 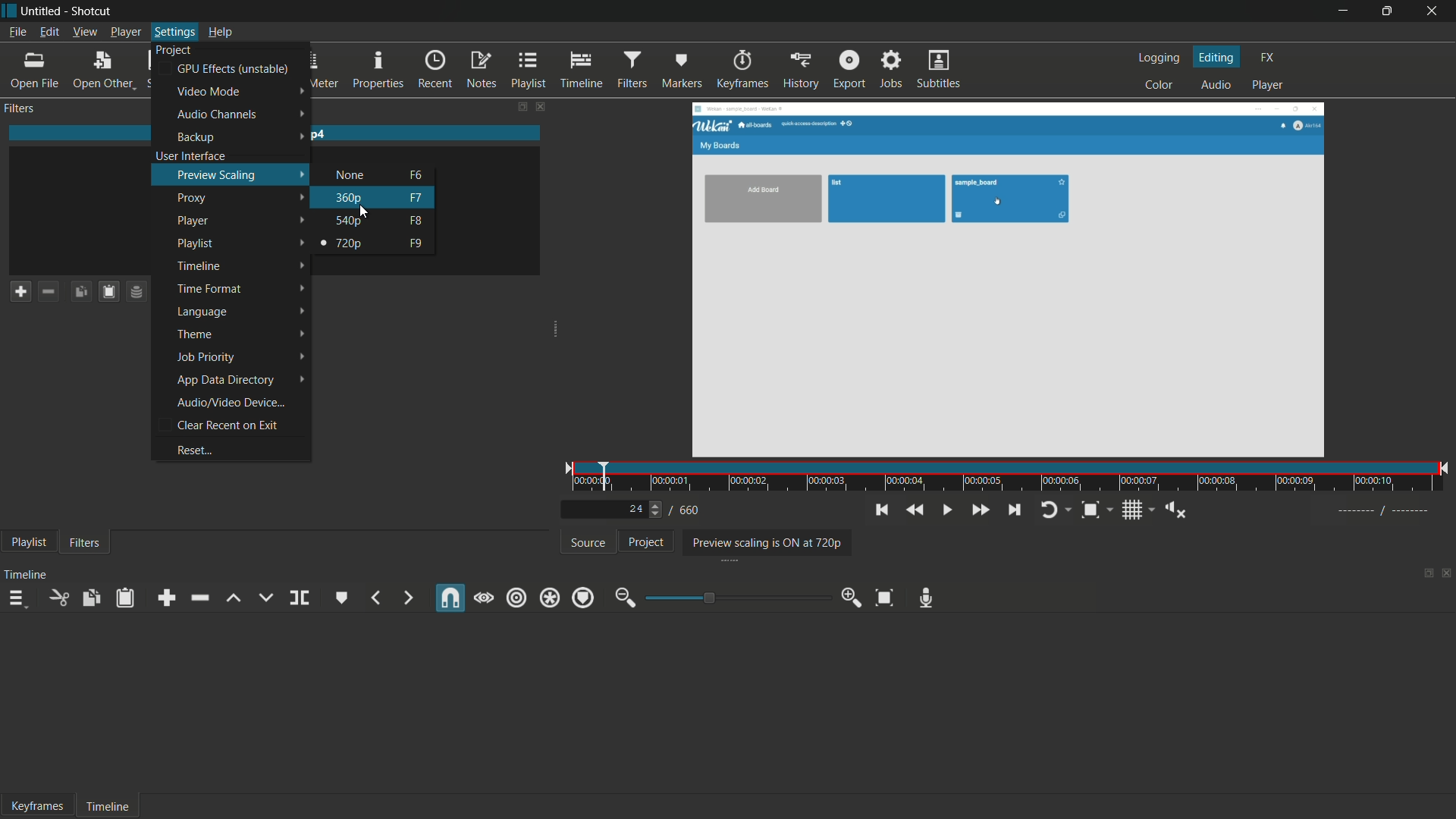 I want to click on toggle play or pause, so click(x=948, y=510).